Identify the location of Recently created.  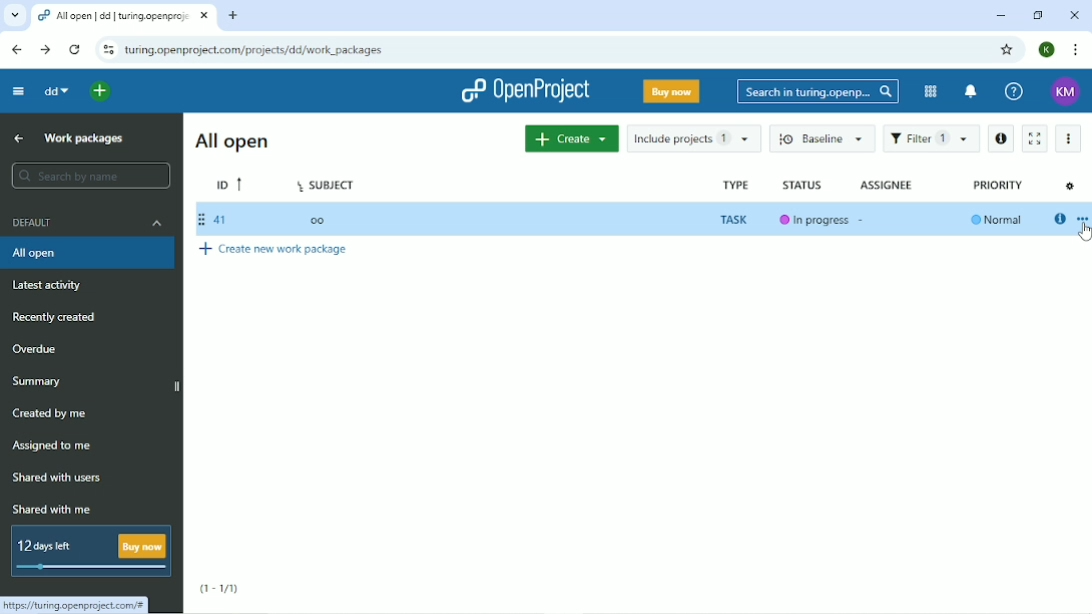
(57, 316).